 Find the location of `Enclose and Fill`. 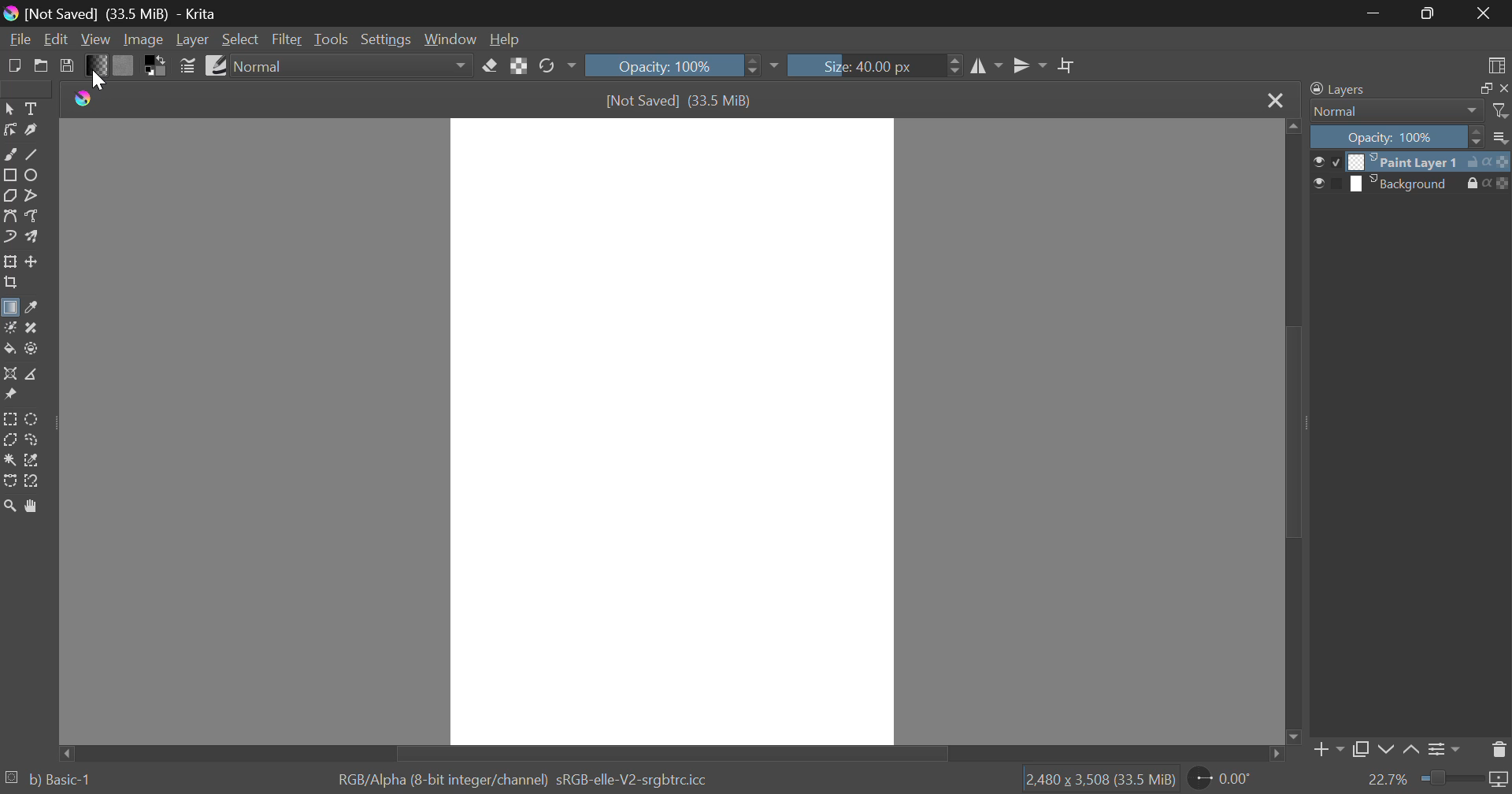

Enclose and Fill is located at coordinates (30, 349).